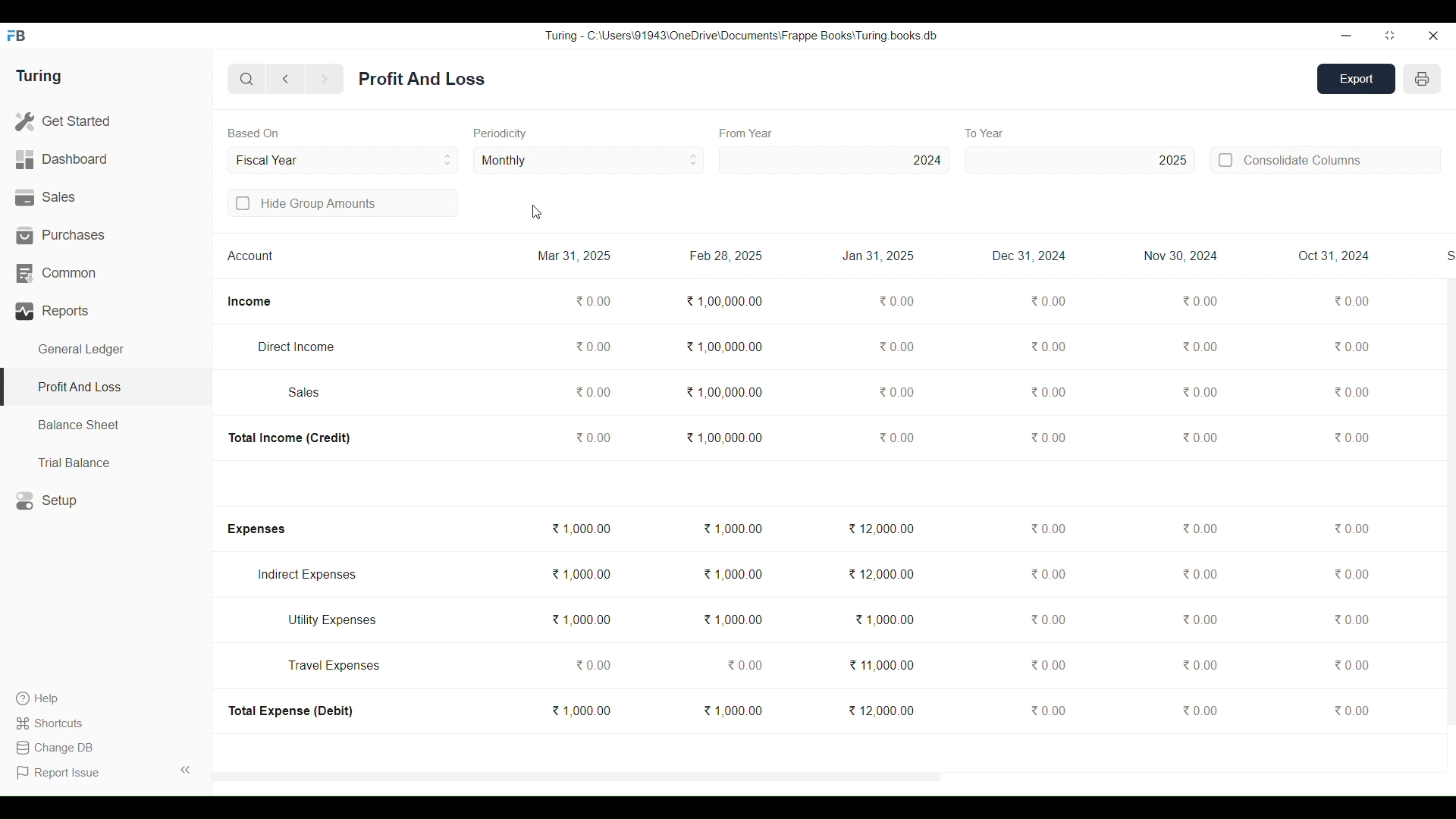 The width and height of the screenshot is (1456, 819). What do you see at coordinates (253, 133) in the screenshot?
I see `Based On` at bounding box center [253, 133].